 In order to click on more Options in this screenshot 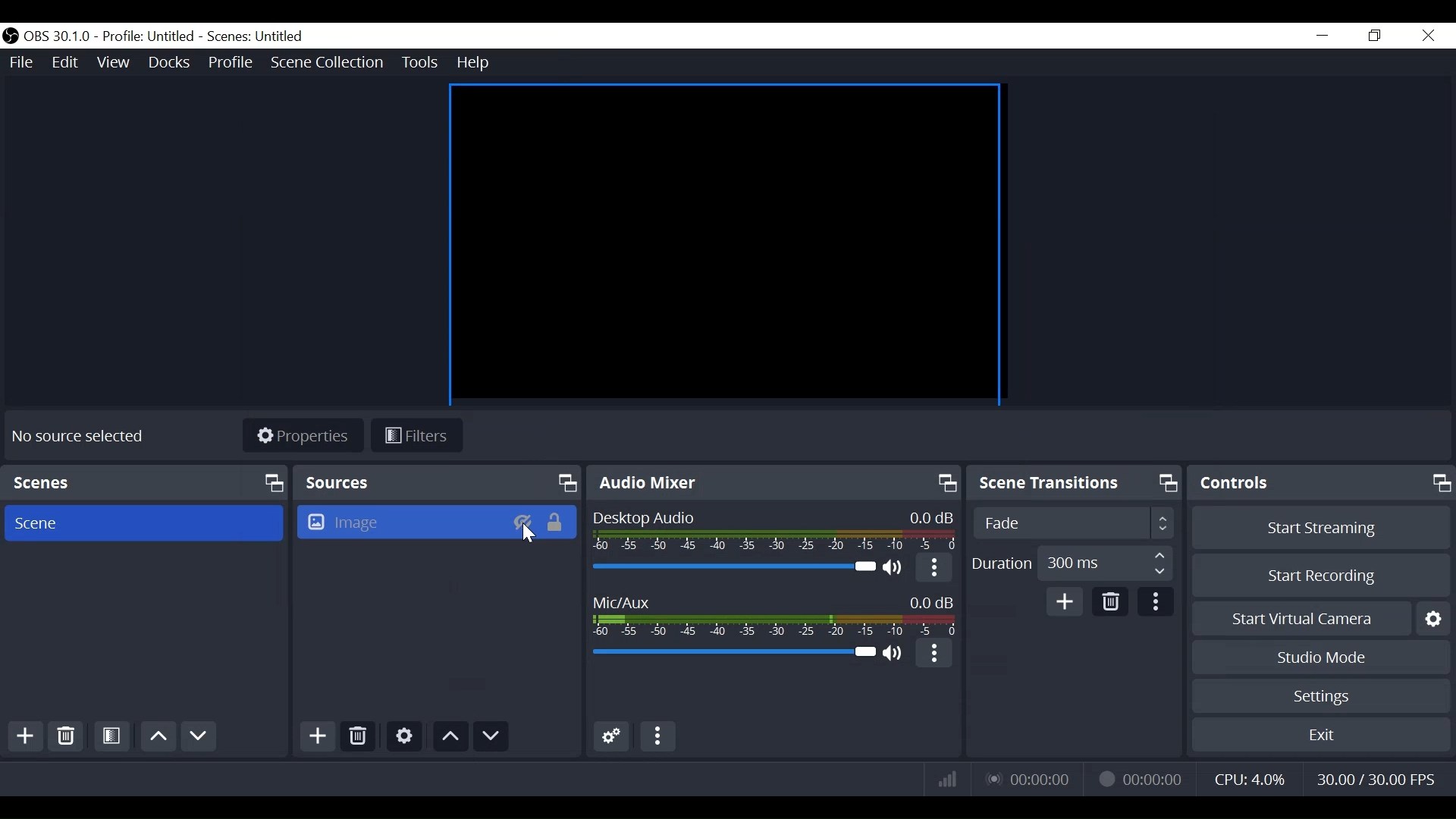, I will do `click(1154, 603)`.